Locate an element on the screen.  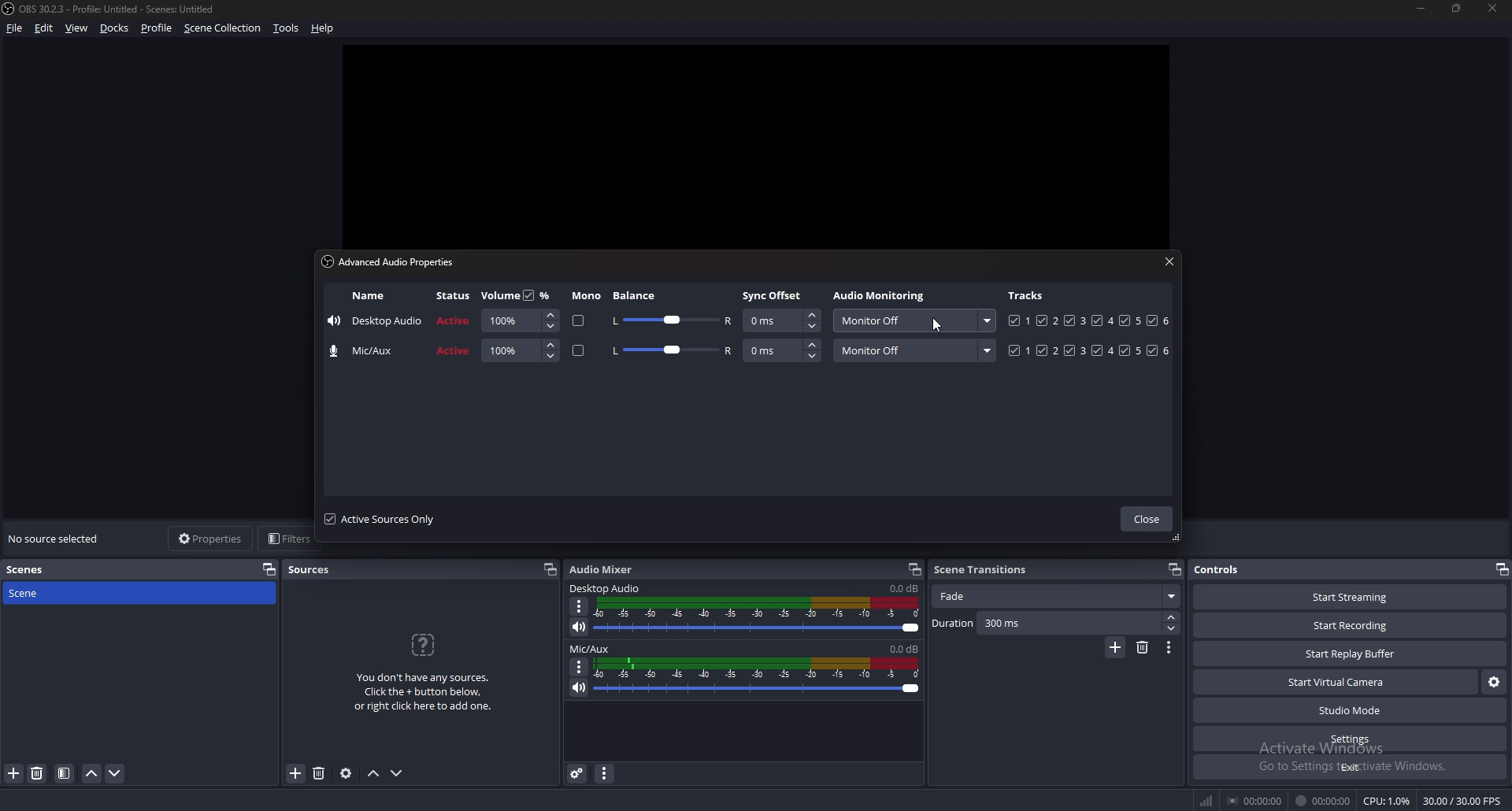
balance adjust is located at coordinates (673, 320).